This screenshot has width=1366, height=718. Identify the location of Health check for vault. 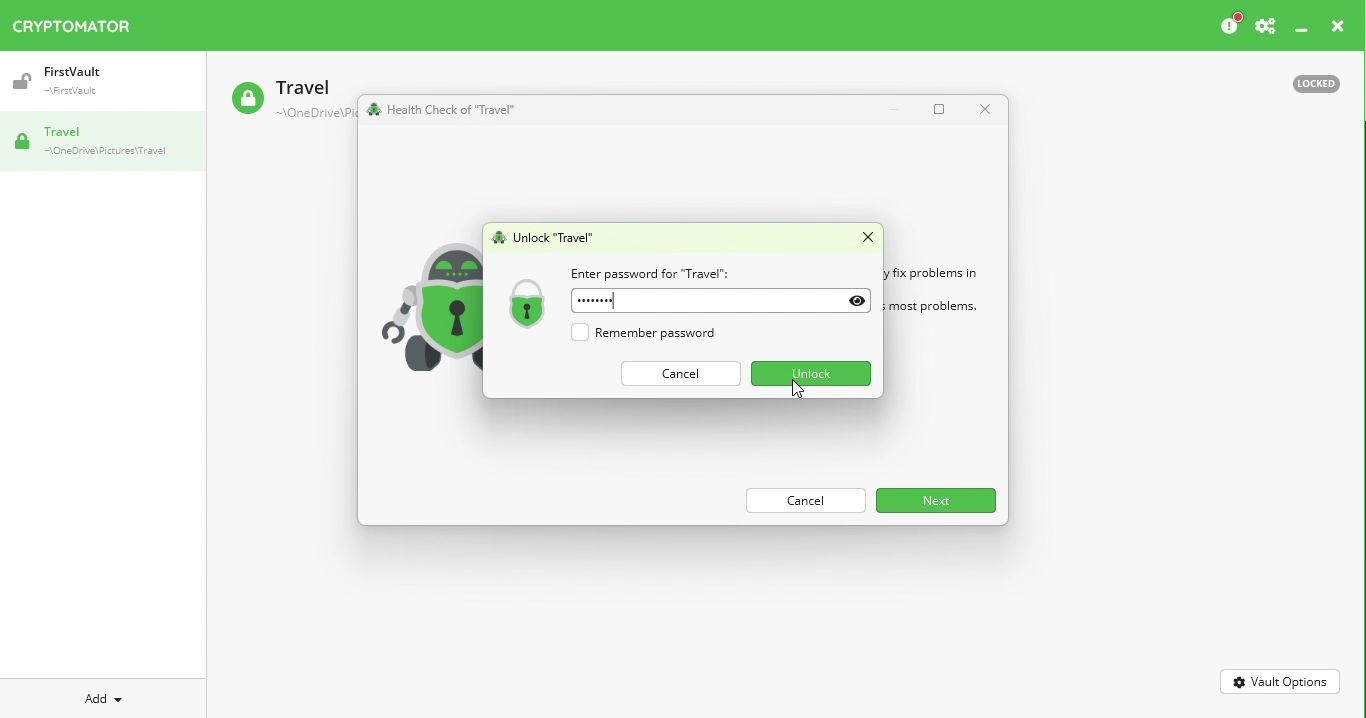
(447, 110).